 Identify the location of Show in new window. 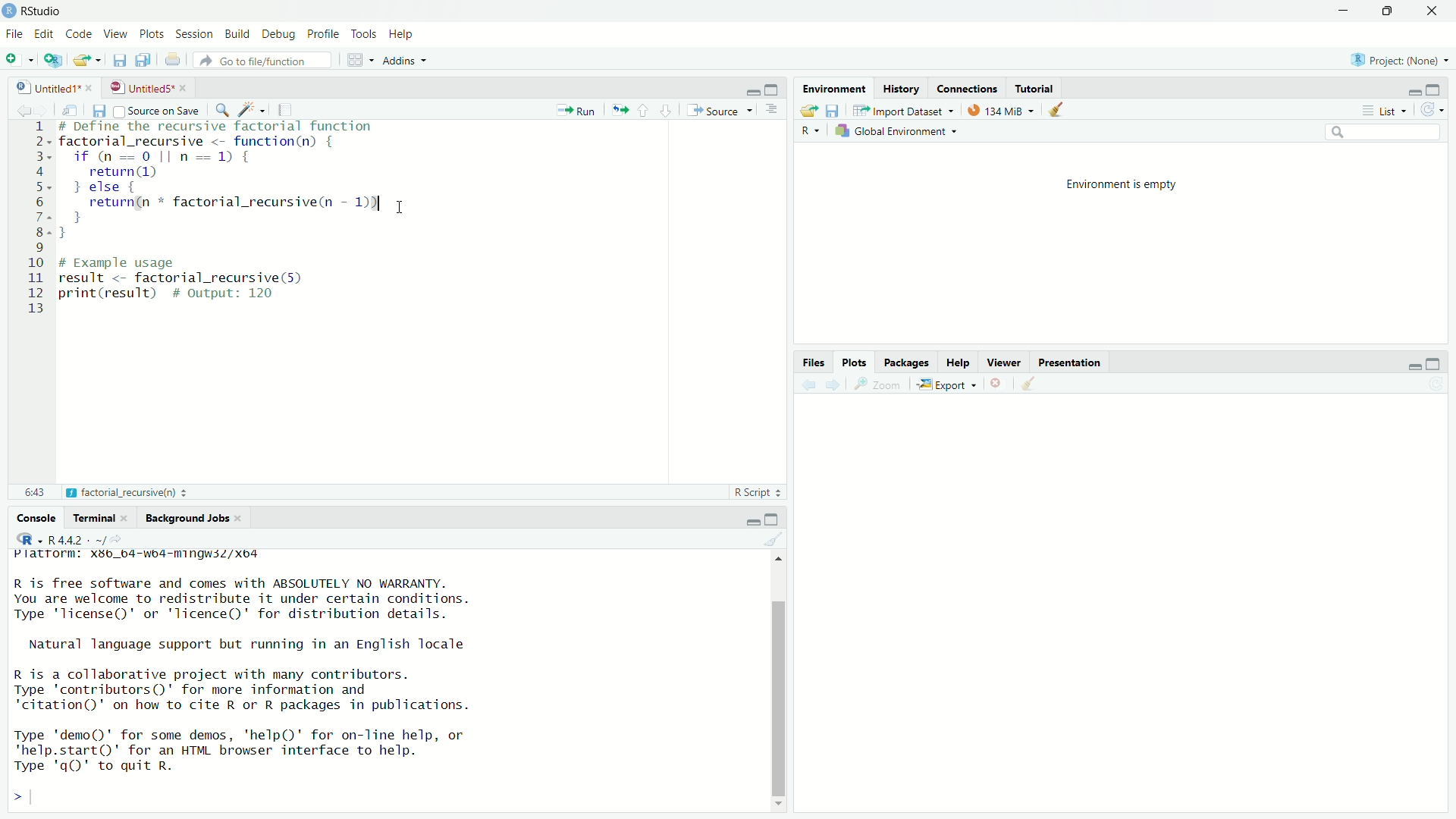
(74, 108).